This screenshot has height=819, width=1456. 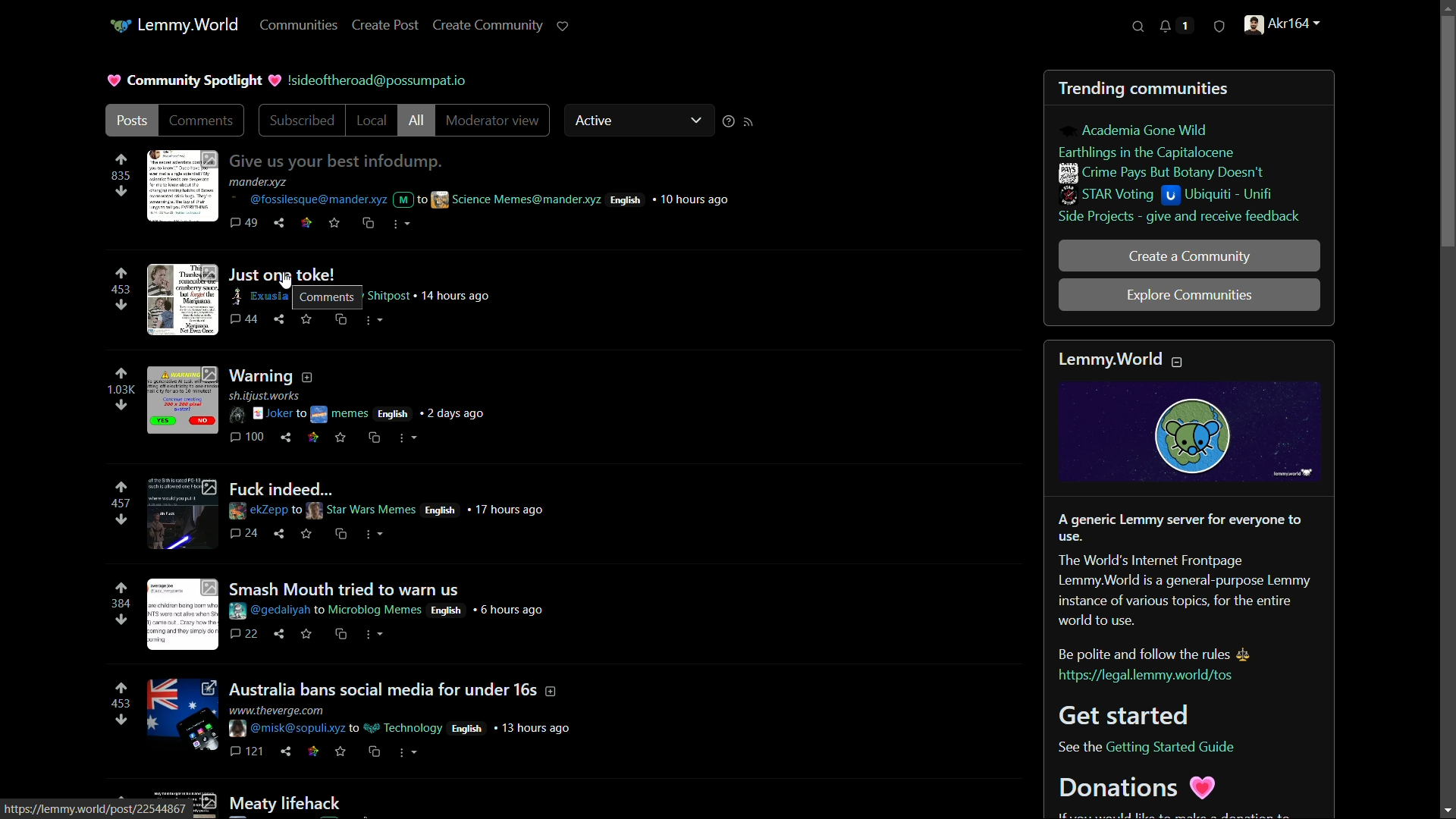 What do you see at coordinates (181, 406) in the screenshot?
I see `Thumbnail` at bounding box center [181, 406].